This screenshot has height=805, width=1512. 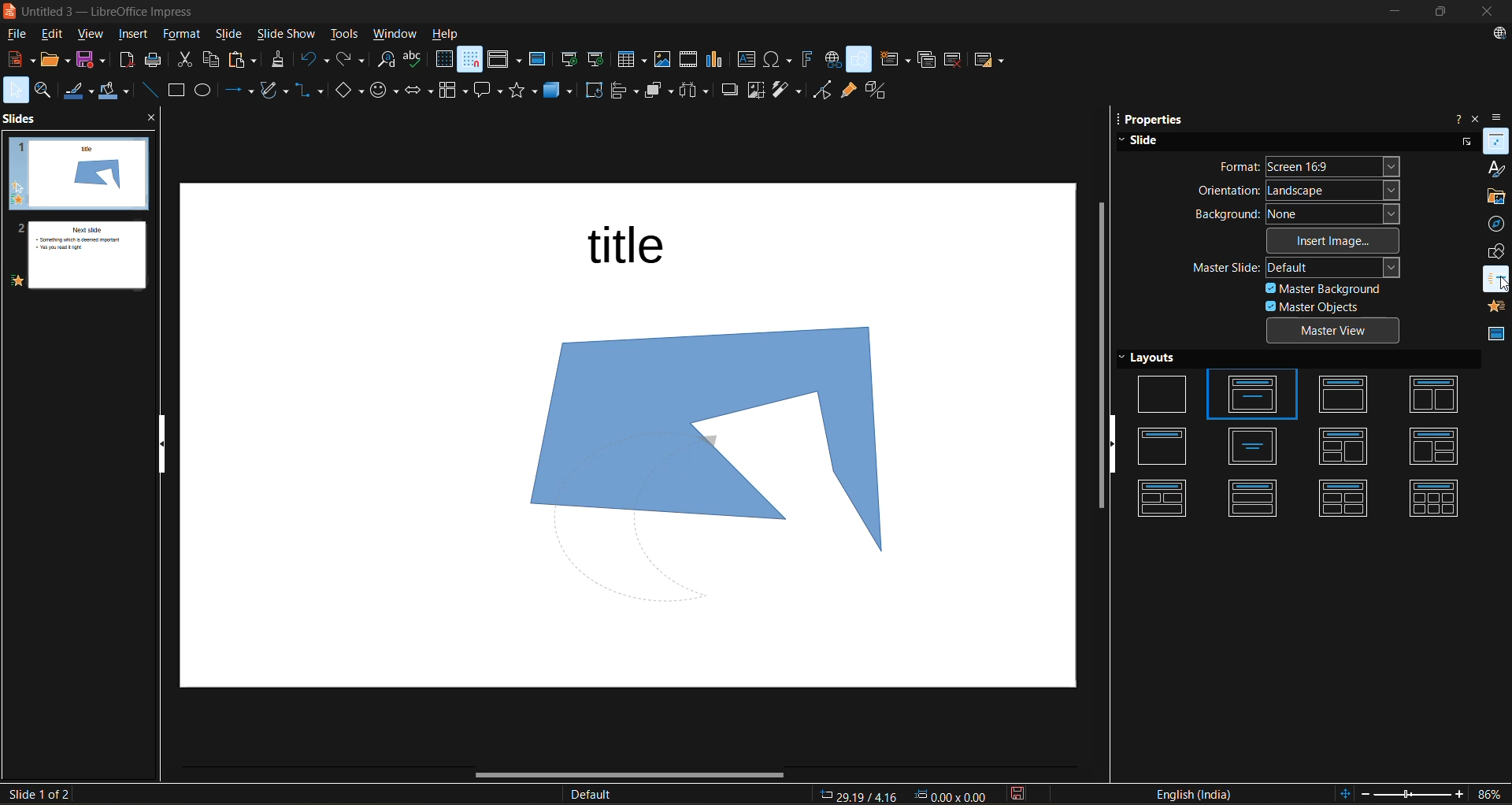 What do you see at coordinates (993, 63) in the screenshot?
I see `slide layout` at bounding box center [993, 63].